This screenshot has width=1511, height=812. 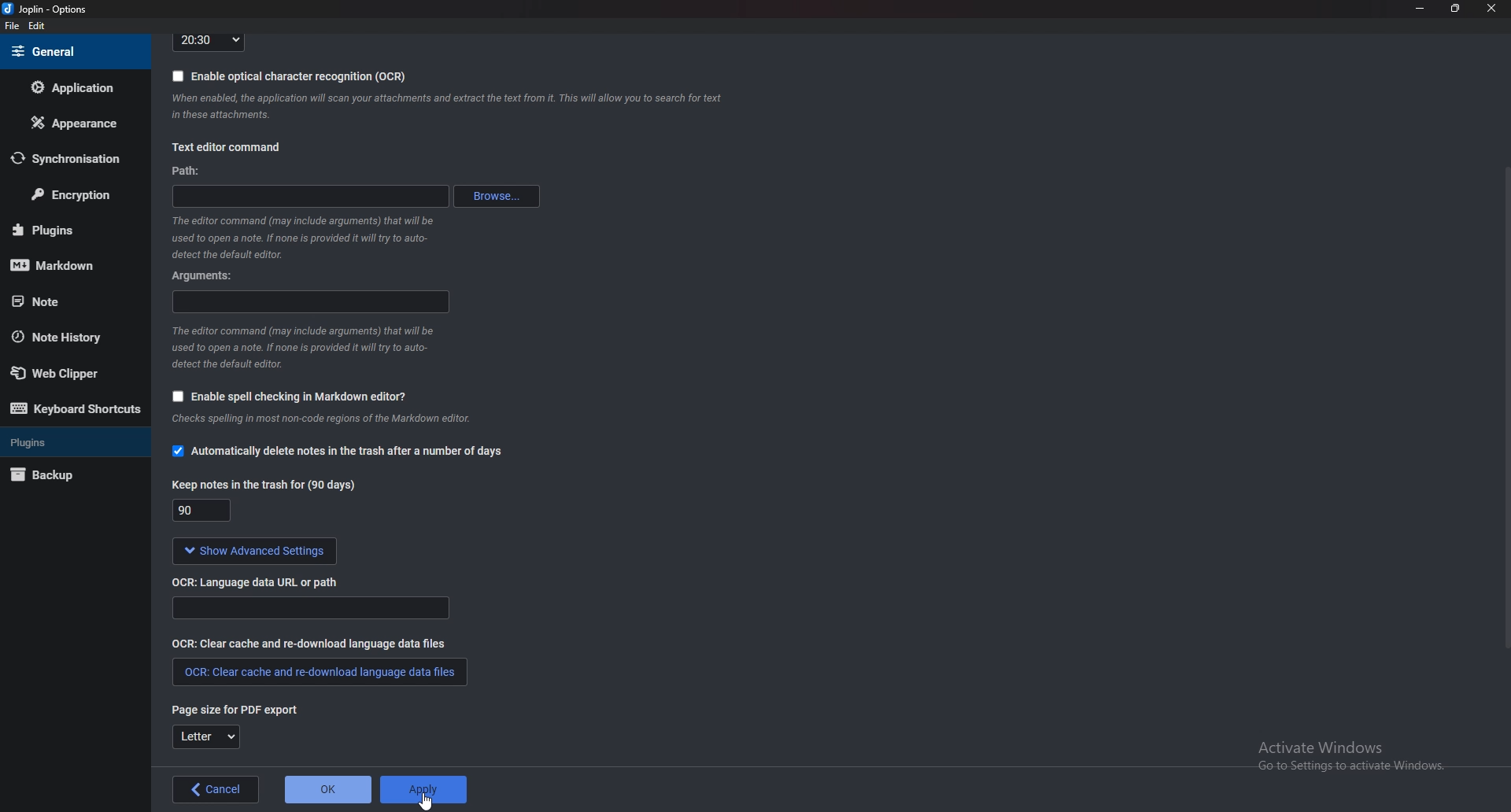 What do you see at coordinates (310, 608) in the screenshot?
I see `Ocr language data url or path` at bounding box center [310, 608].